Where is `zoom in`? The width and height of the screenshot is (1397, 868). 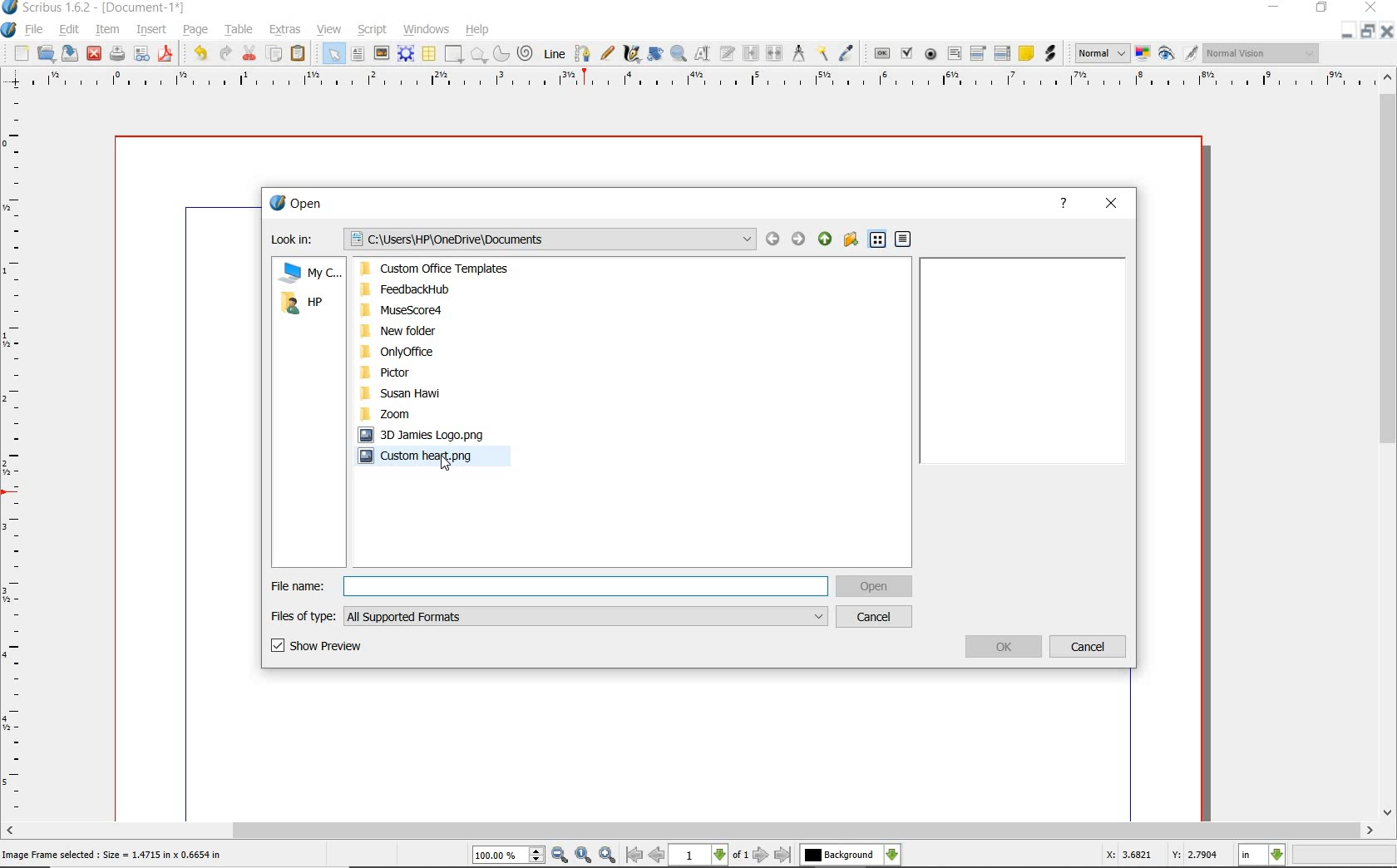
zoom in is located at coordinates (608, 856).